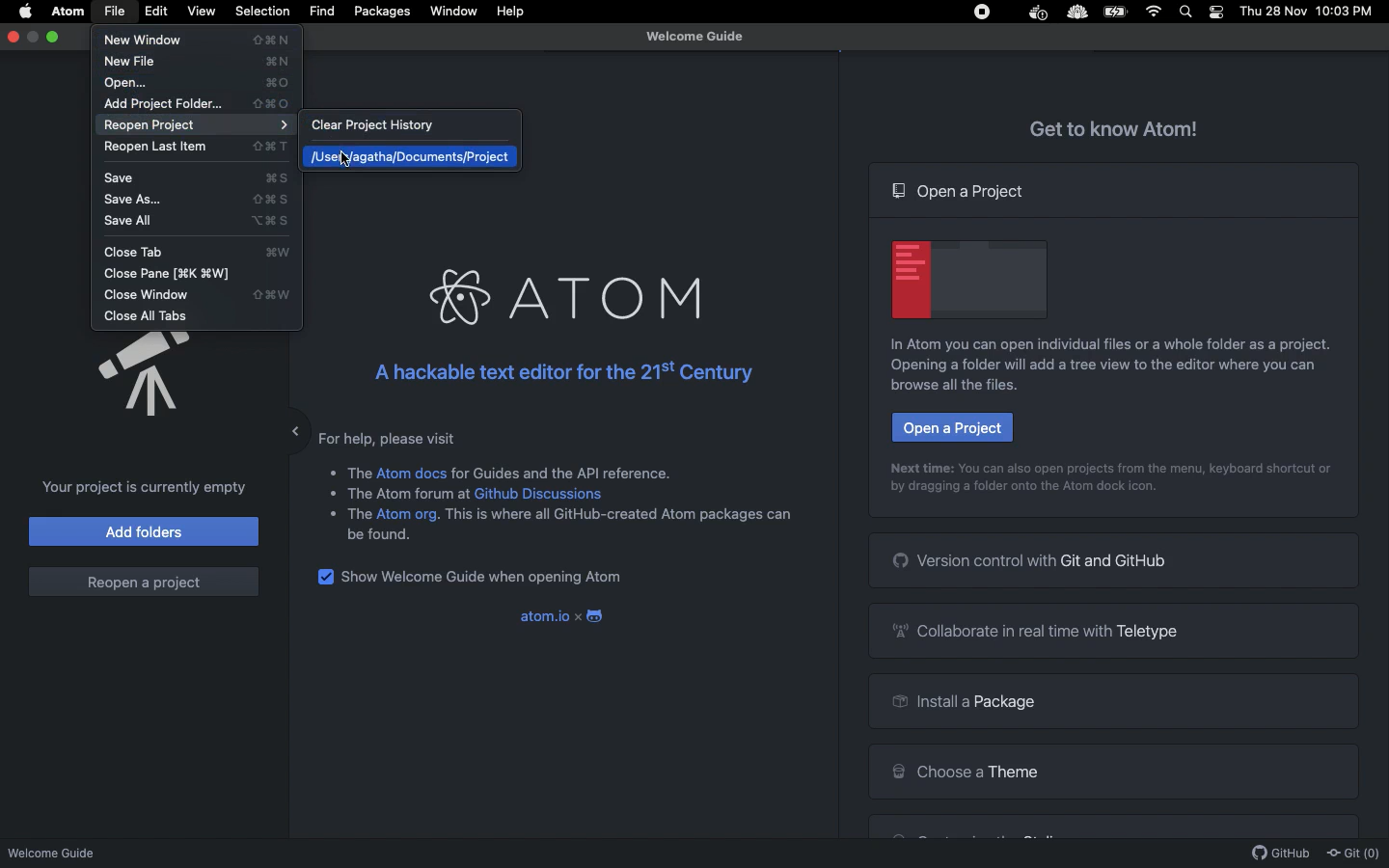 This screenshot has width=1389, height=868. What do you see at coordinates (203, 41) in the screenshot?
I see `New window` at bounding box center [203, 41].